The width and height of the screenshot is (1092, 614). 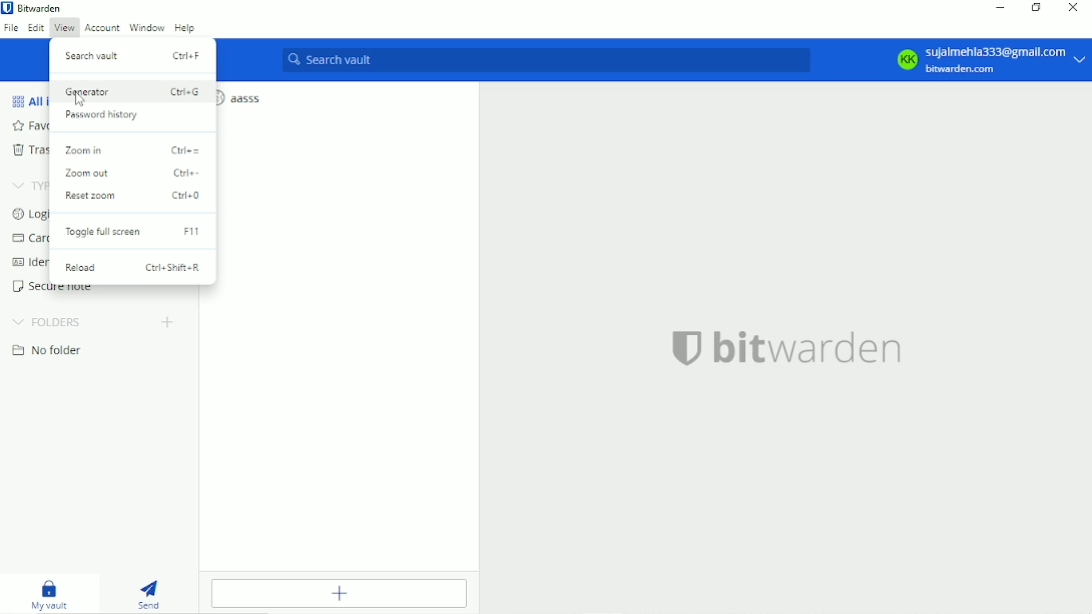 I want to click on Search vault, so click(x=132, y=54).